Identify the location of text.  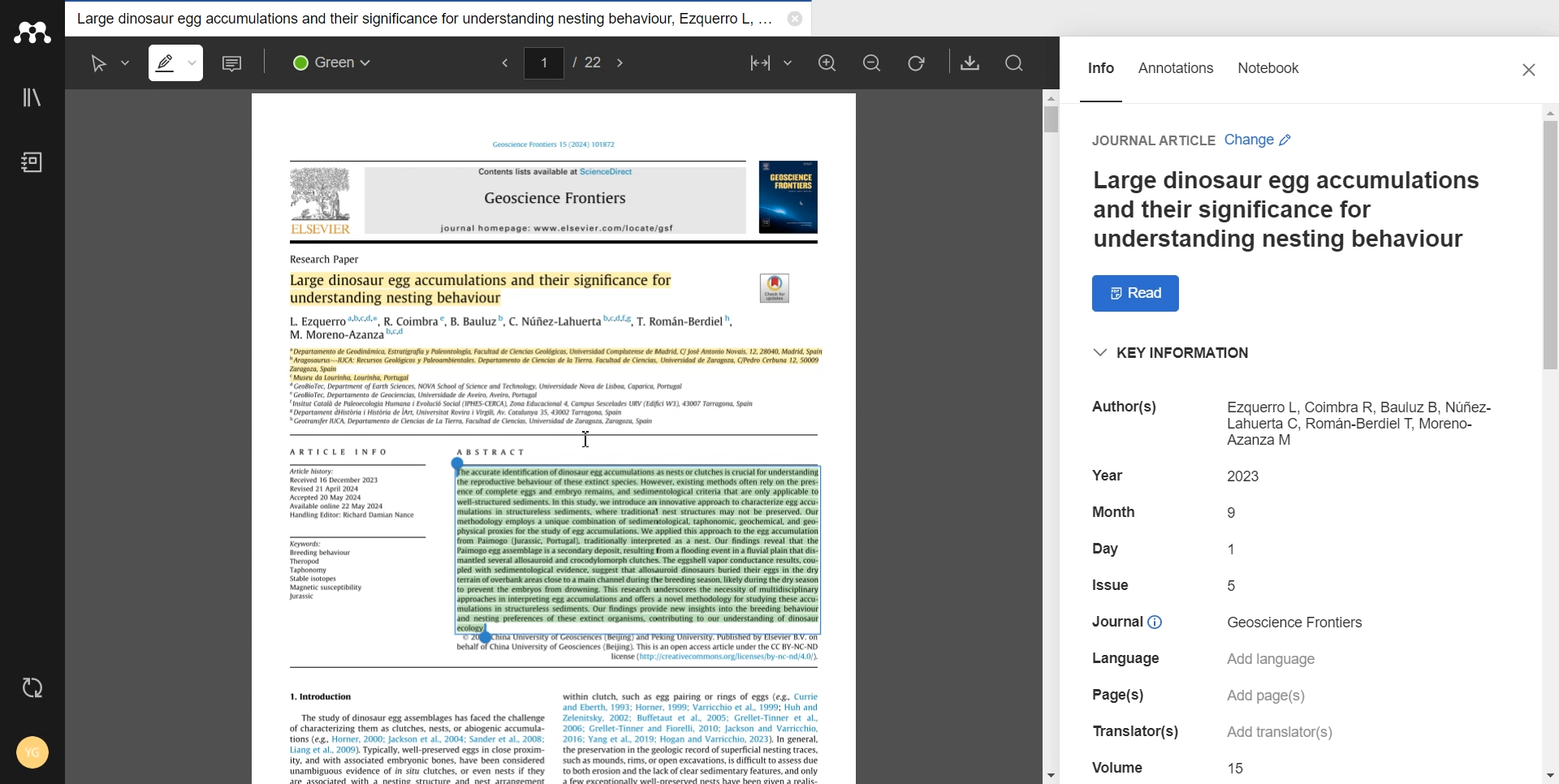
(1362, 423).